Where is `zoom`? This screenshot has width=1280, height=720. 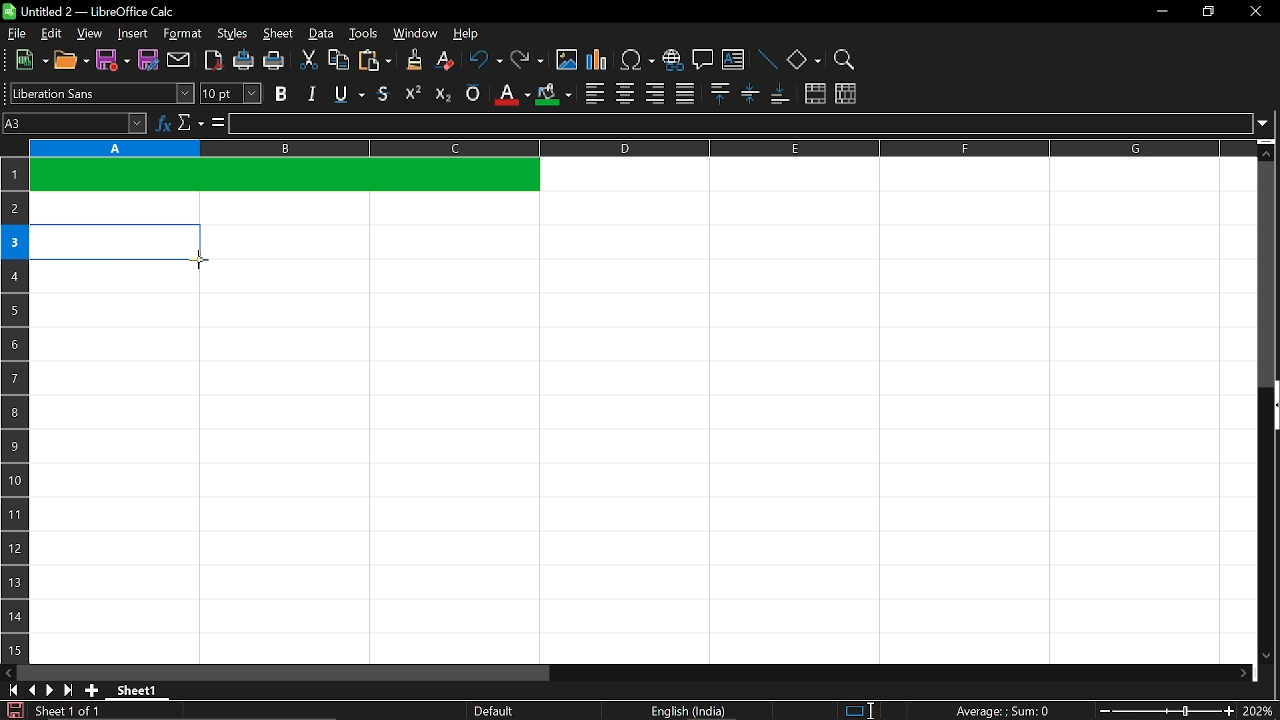
zoom is located at coordinates (845, 57).